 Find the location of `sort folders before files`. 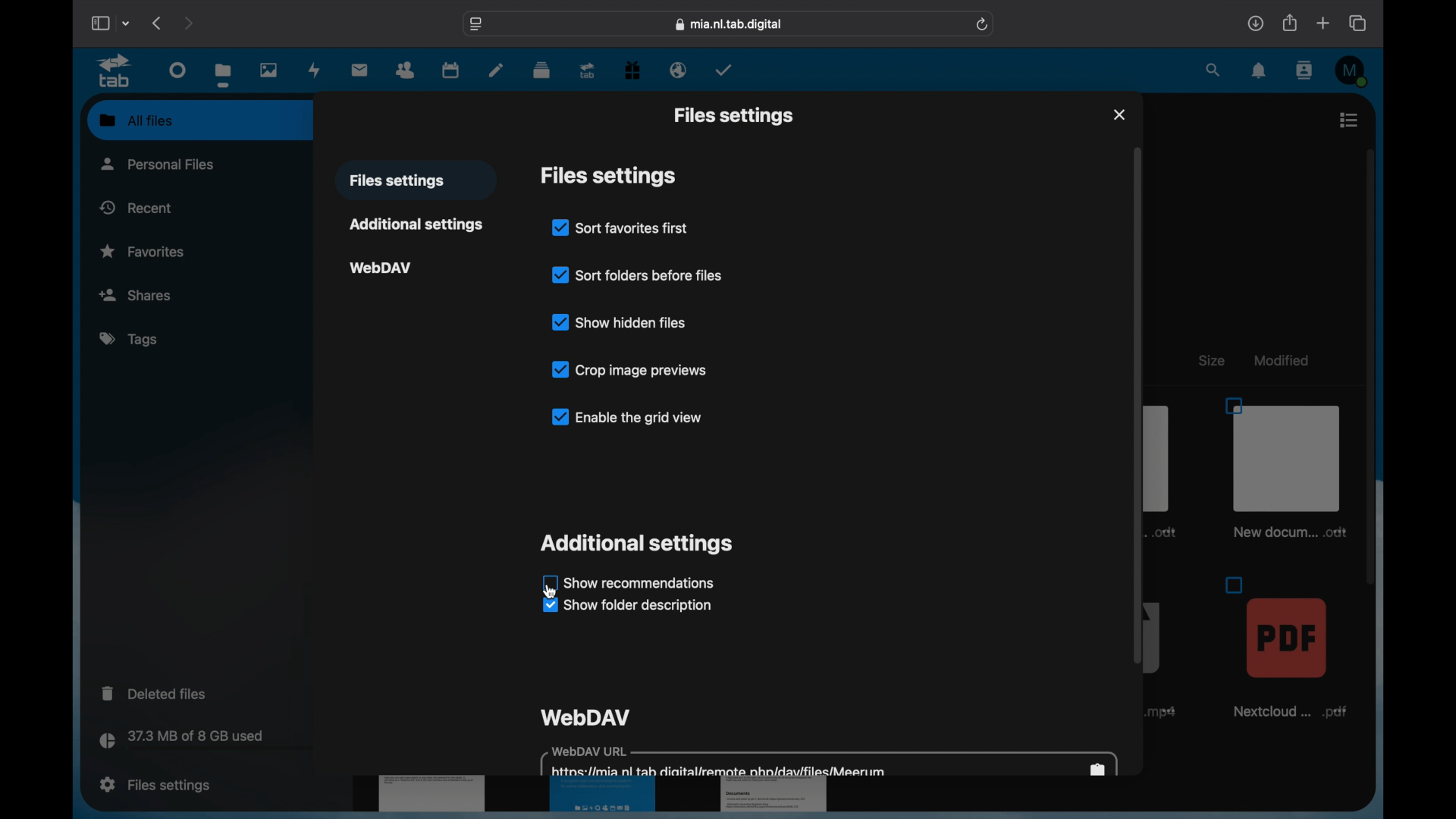

sort folders before files is located at coordinates (637, 273).